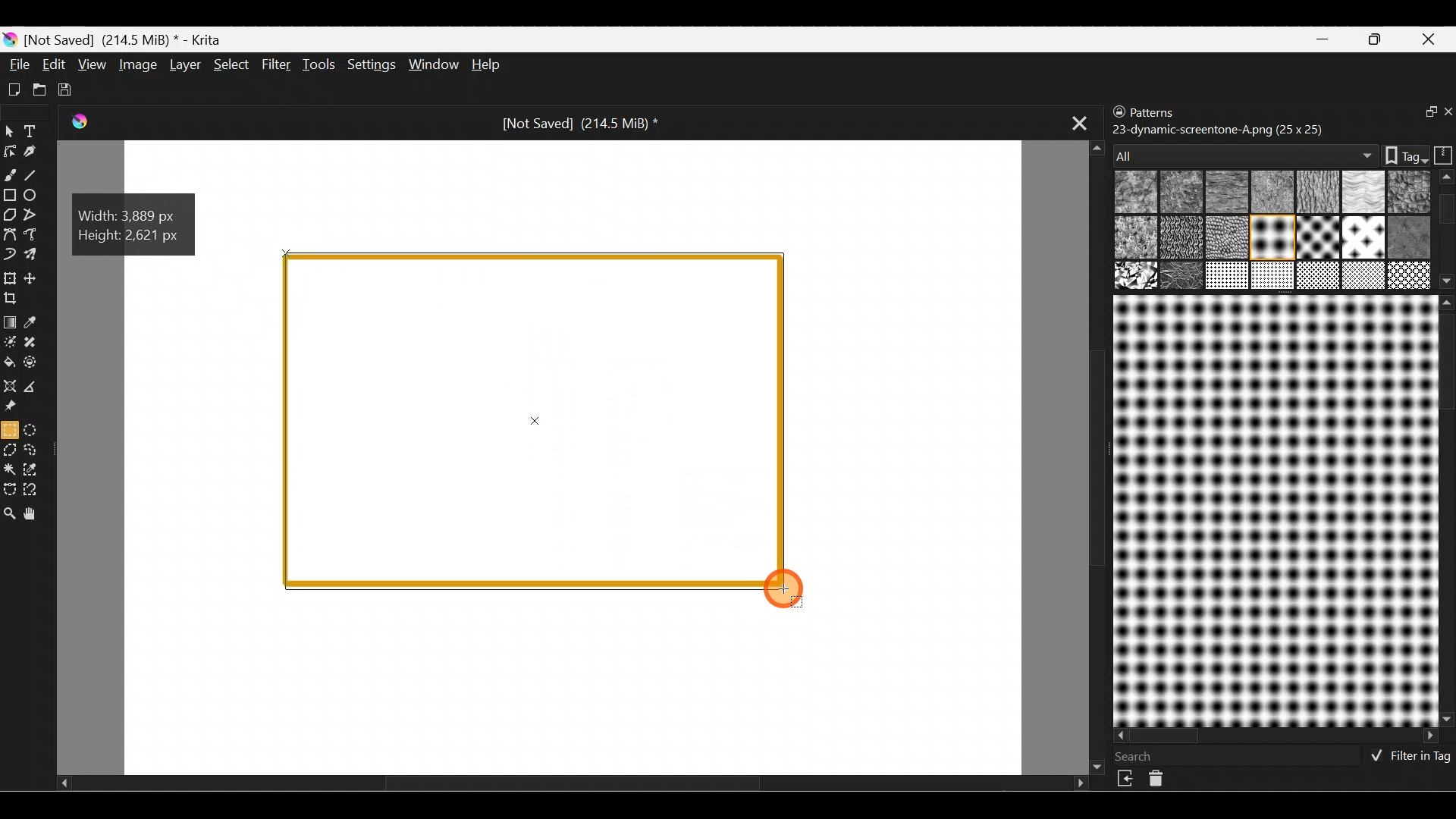  Describe the element at coordinates (1223, 193) in the screenshot. I see `02b Wooftissue.png` at that location.